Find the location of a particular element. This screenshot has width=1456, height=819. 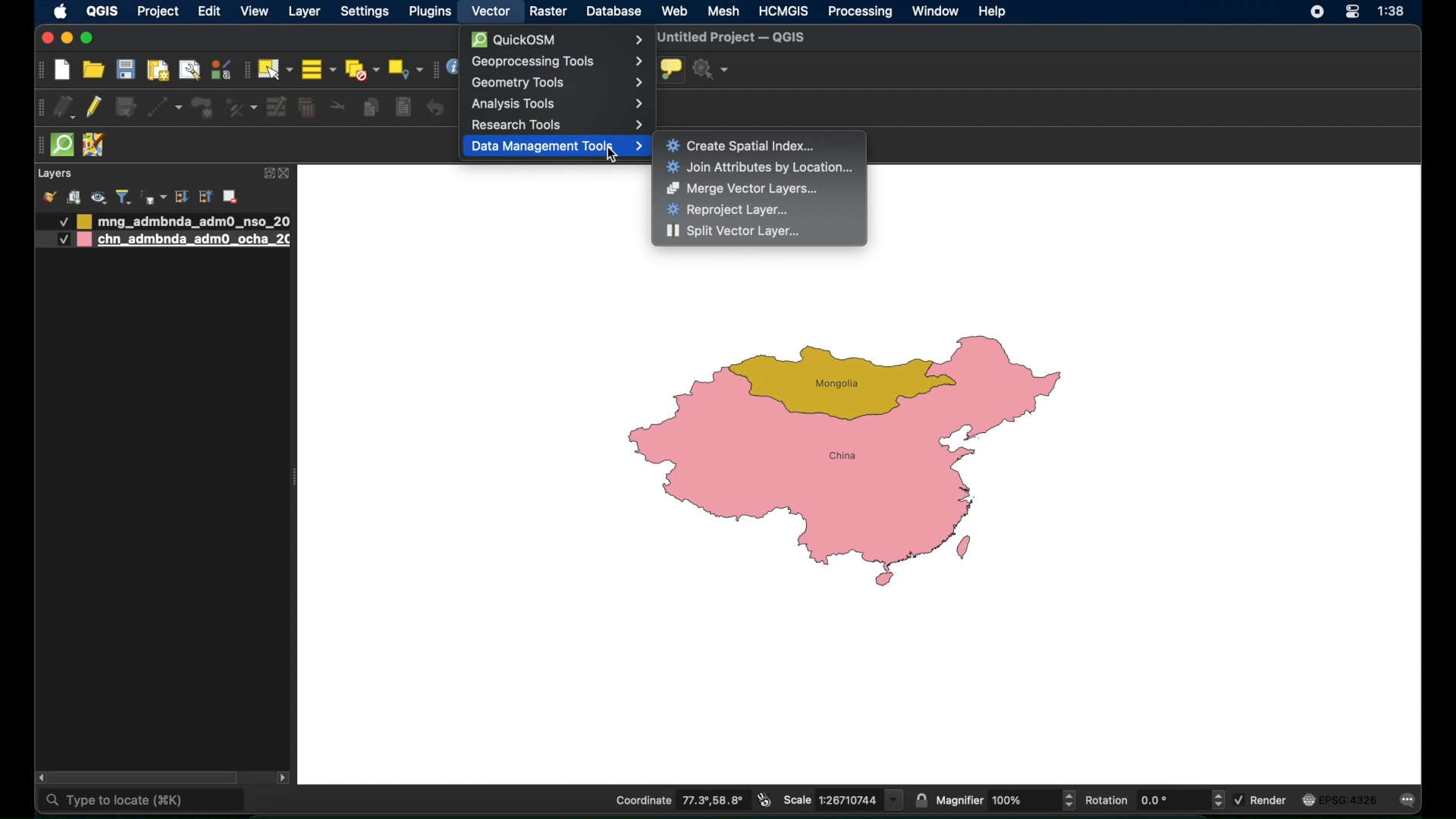

layers is located at coordinates (54, 174).